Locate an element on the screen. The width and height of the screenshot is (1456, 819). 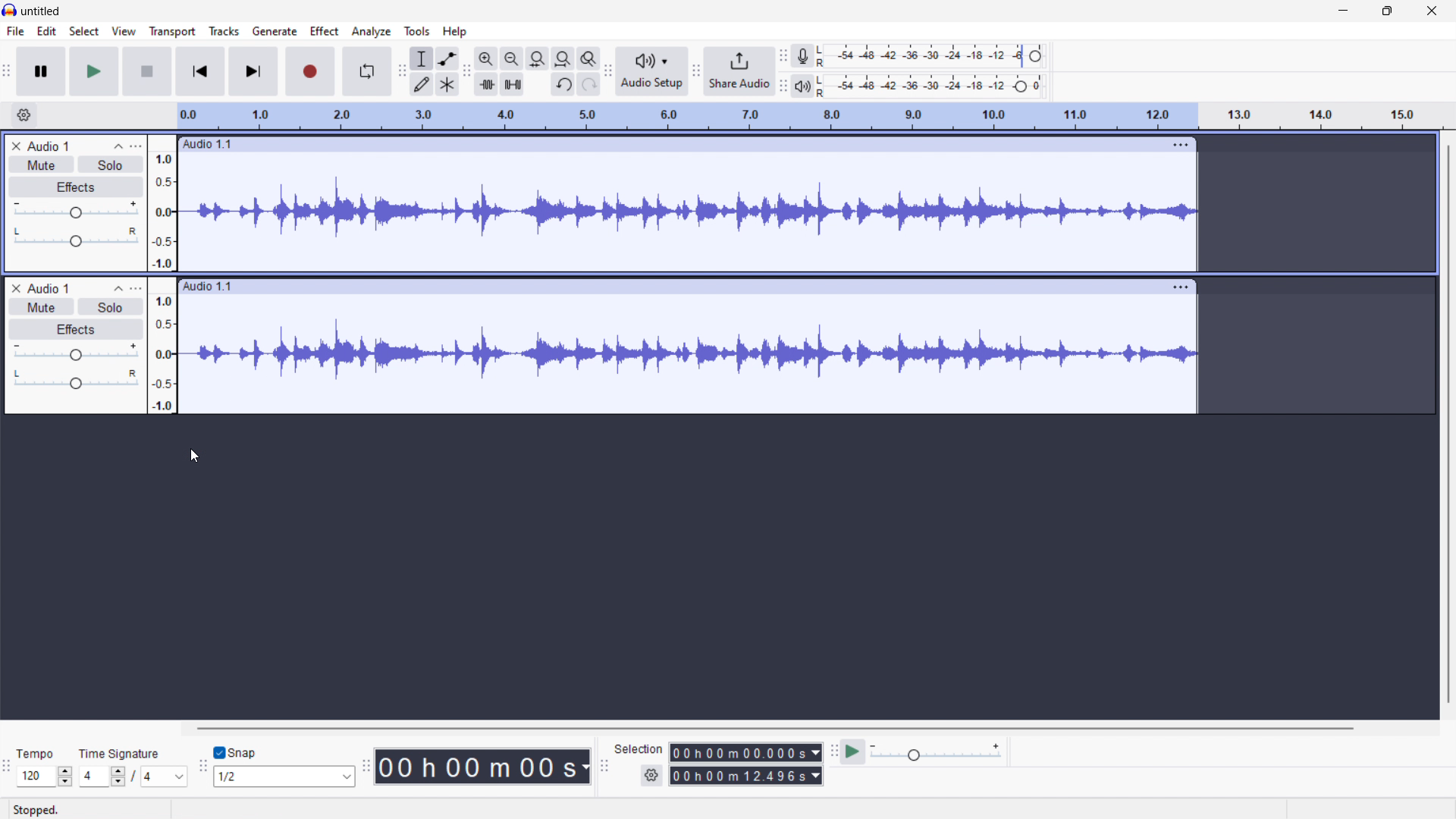
skip to end is located at coordinates (255, 71).